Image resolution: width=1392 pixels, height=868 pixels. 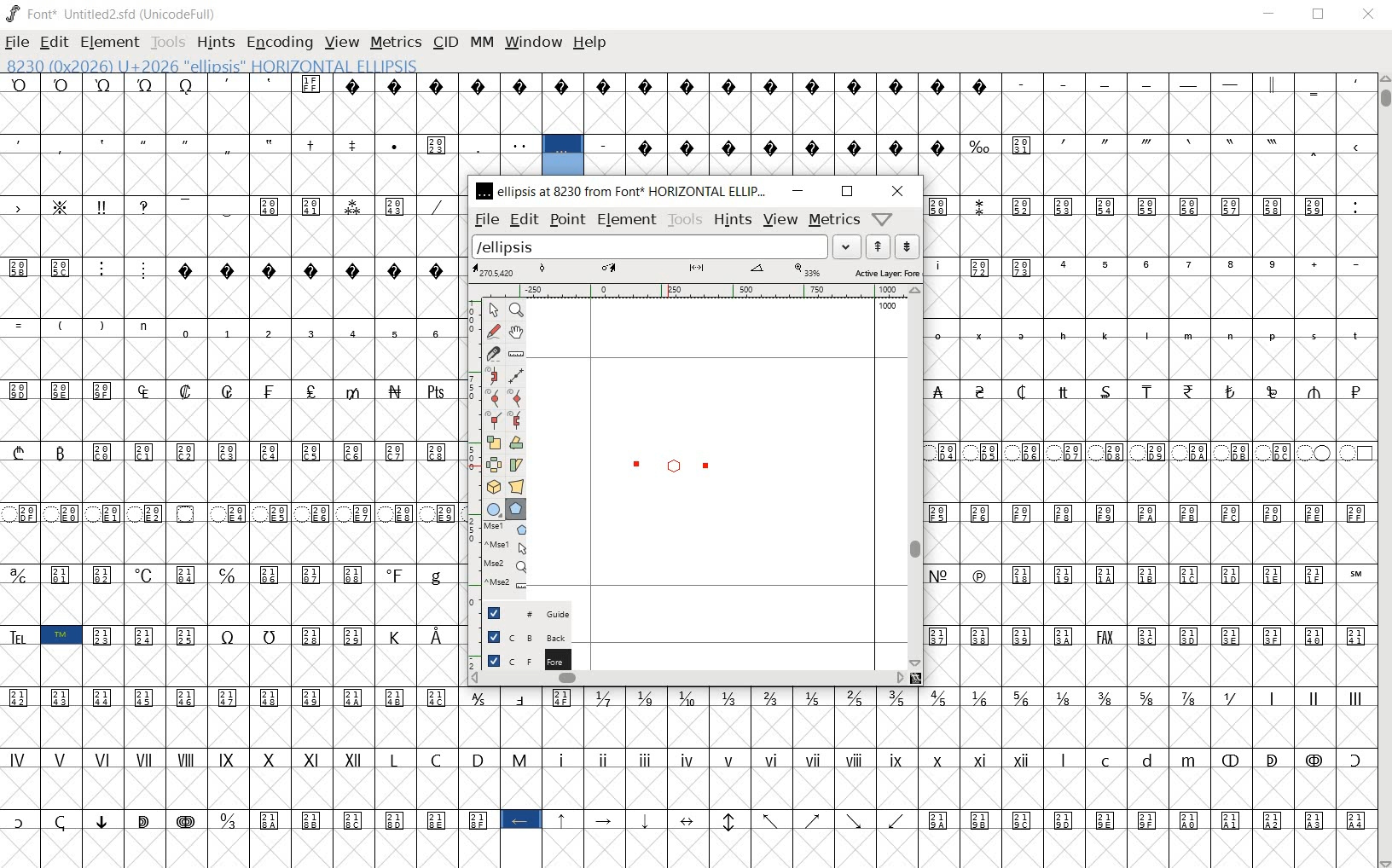 What do you see at coordinates (485, 219) in the screenshot?
I see `file` at bounding box center [485, 219].